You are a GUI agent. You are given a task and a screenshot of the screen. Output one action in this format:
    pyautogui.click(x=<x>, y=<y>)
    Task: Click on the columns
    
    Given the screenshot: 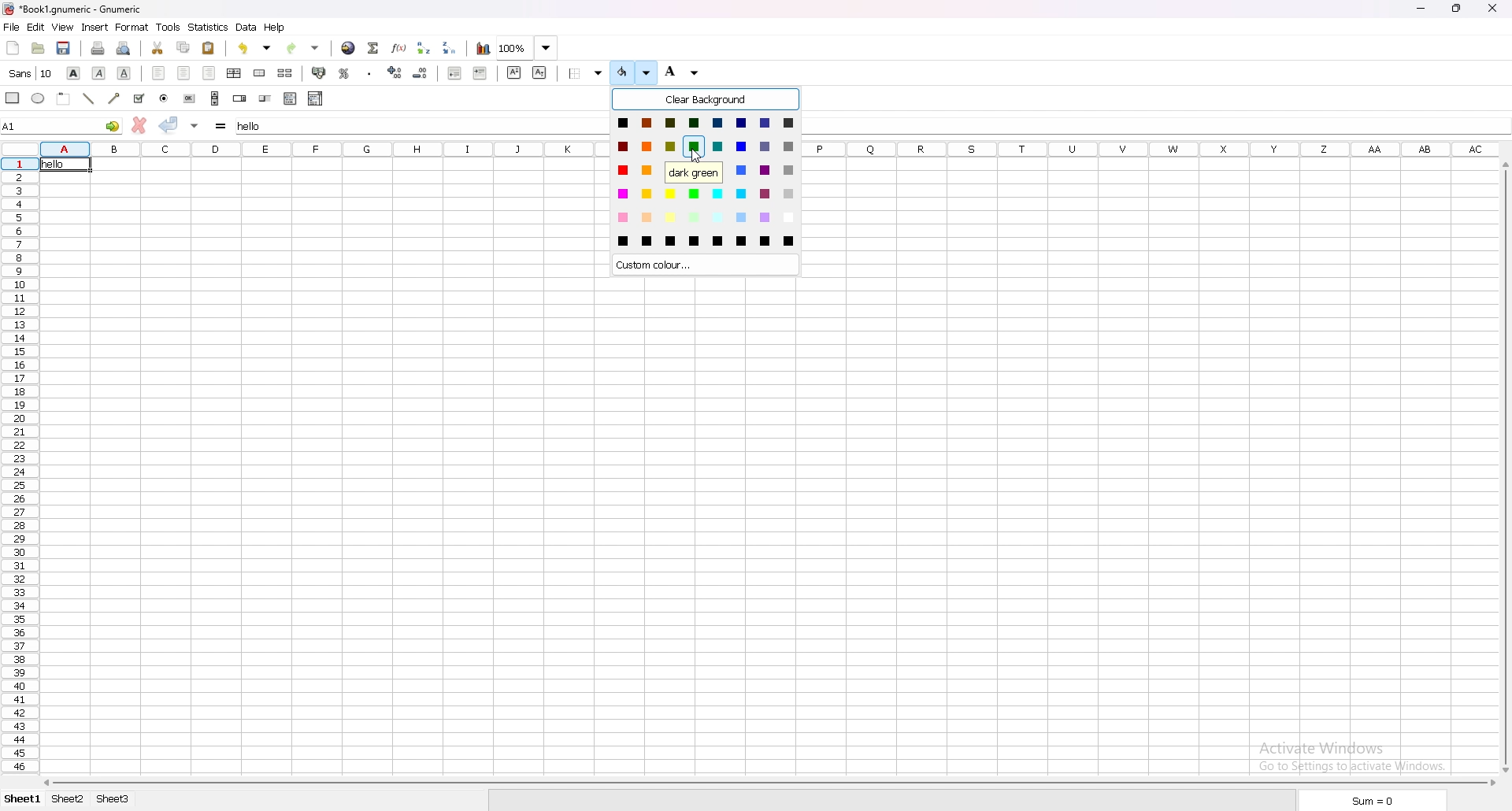 What is the action you would take?
    pyautogui.click(x=1158, y=148)
    